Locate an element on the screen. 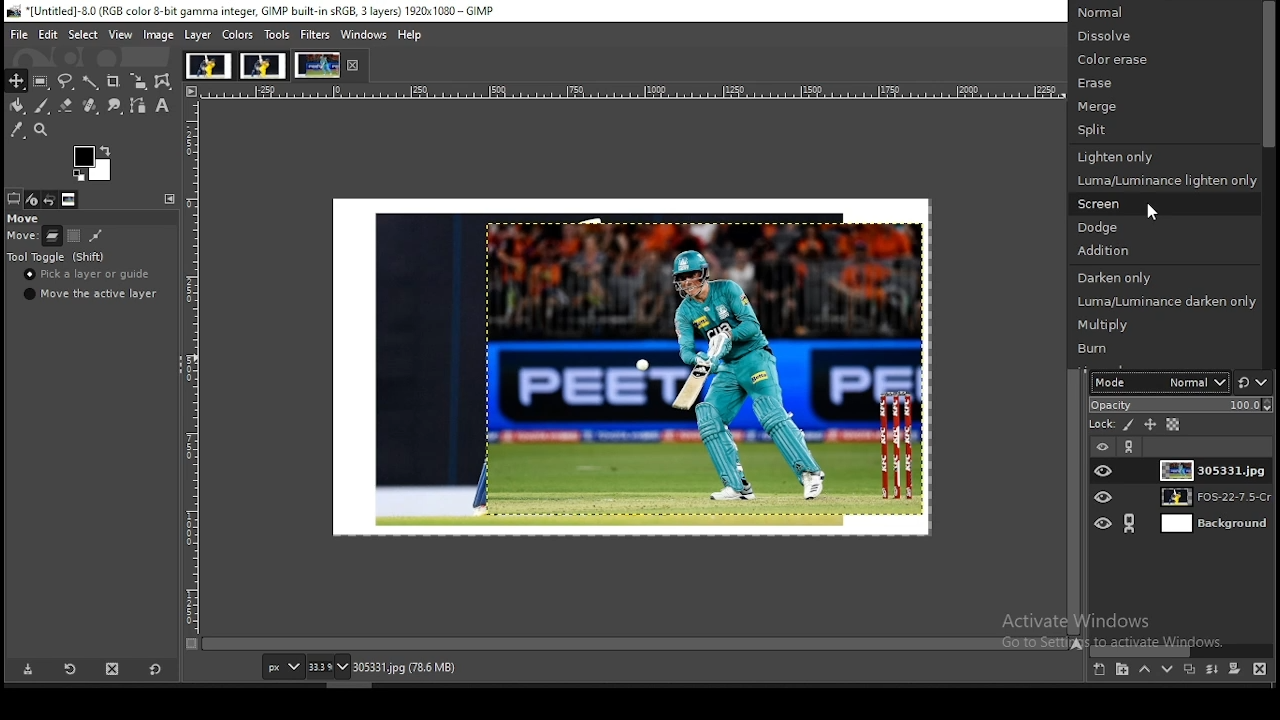 Image resolution: width=1280 pixels, height=720 pixels. close is located at coordinates (351, 65).